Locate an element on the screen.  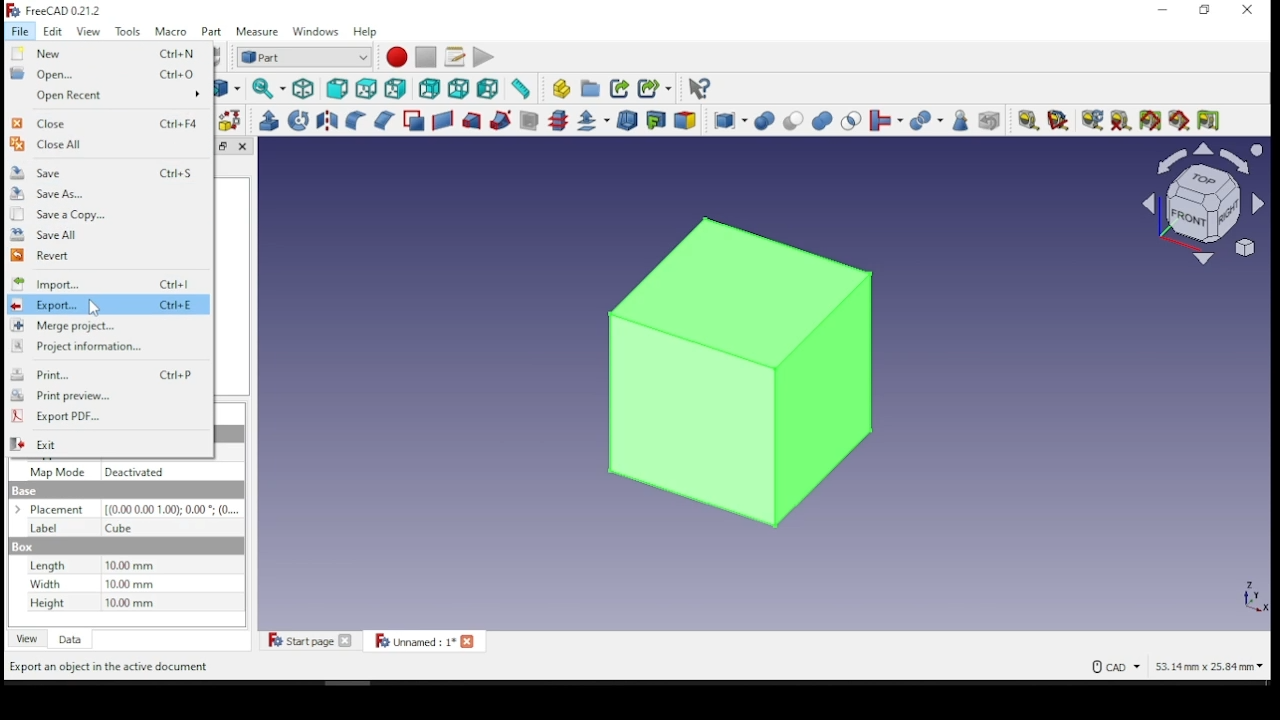
Dimensions in mm is located at coordinates (131, 585).